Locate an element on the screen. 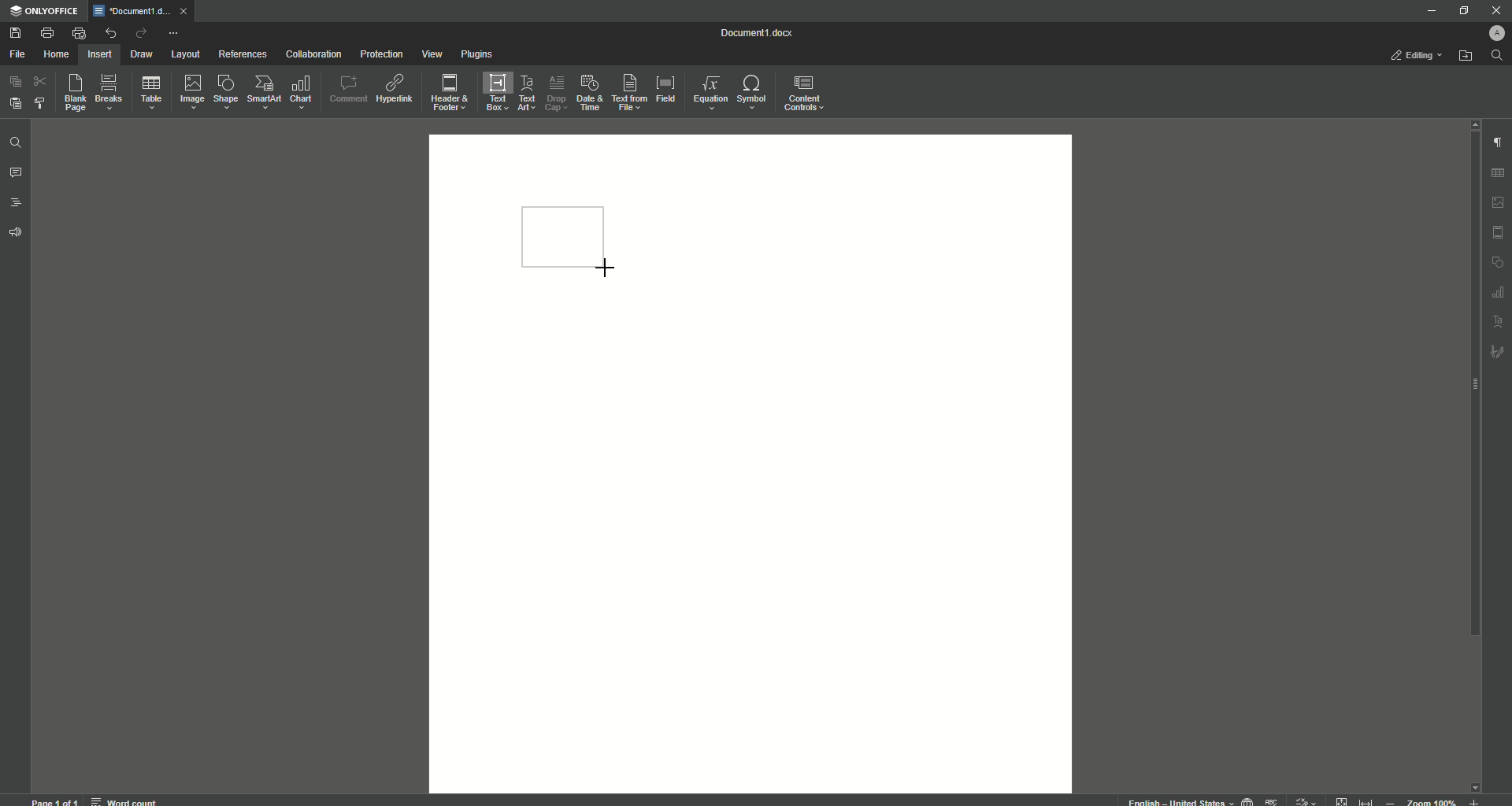  Scroll is located at coordinates (1470, 394).